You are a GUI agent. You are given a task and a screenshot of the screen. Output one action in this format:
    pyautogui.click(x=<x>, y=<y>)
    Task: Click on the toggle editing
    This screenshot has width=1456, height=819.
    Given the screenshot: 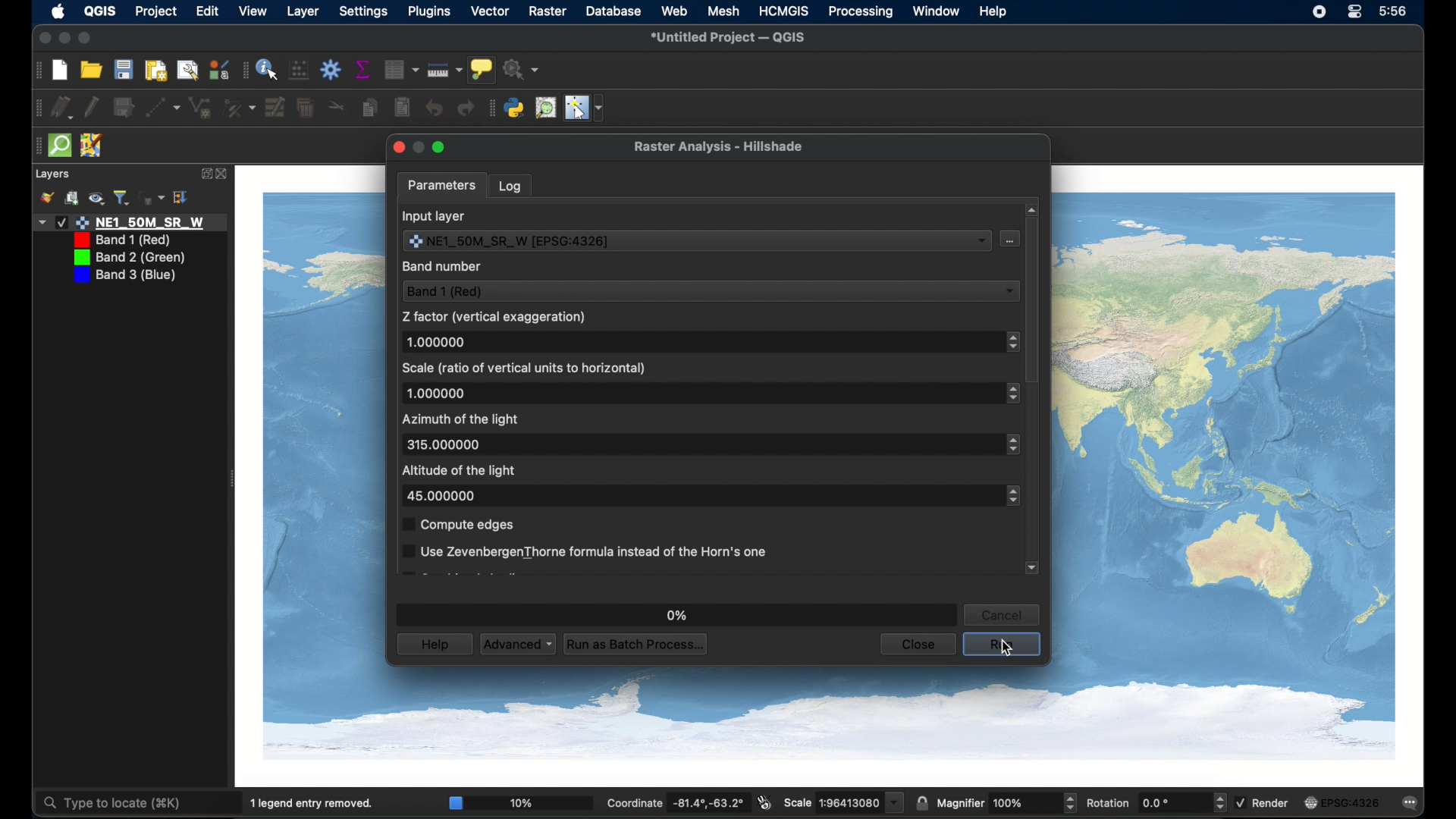 What is the action you would take?
    pyautogui.click(x=92, y=107)
    